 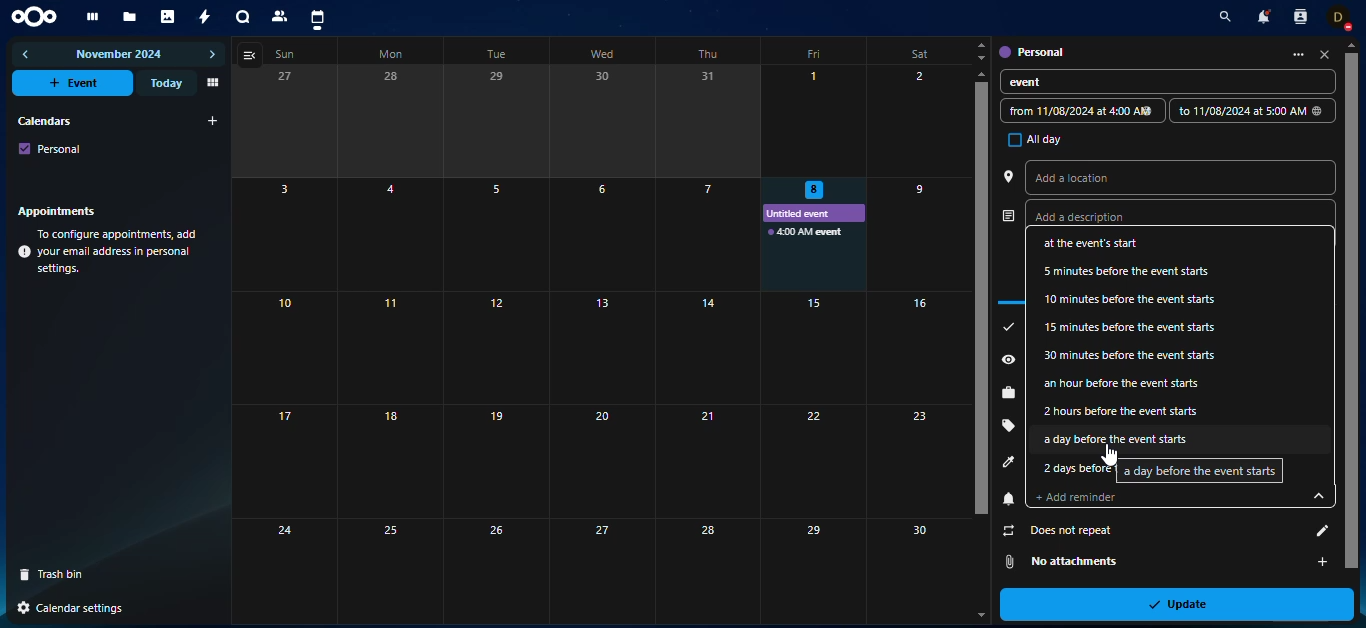 What do you see at coordinates (606, 52) in the screenshot?
I see `wed` at bounding box center [606, 52].